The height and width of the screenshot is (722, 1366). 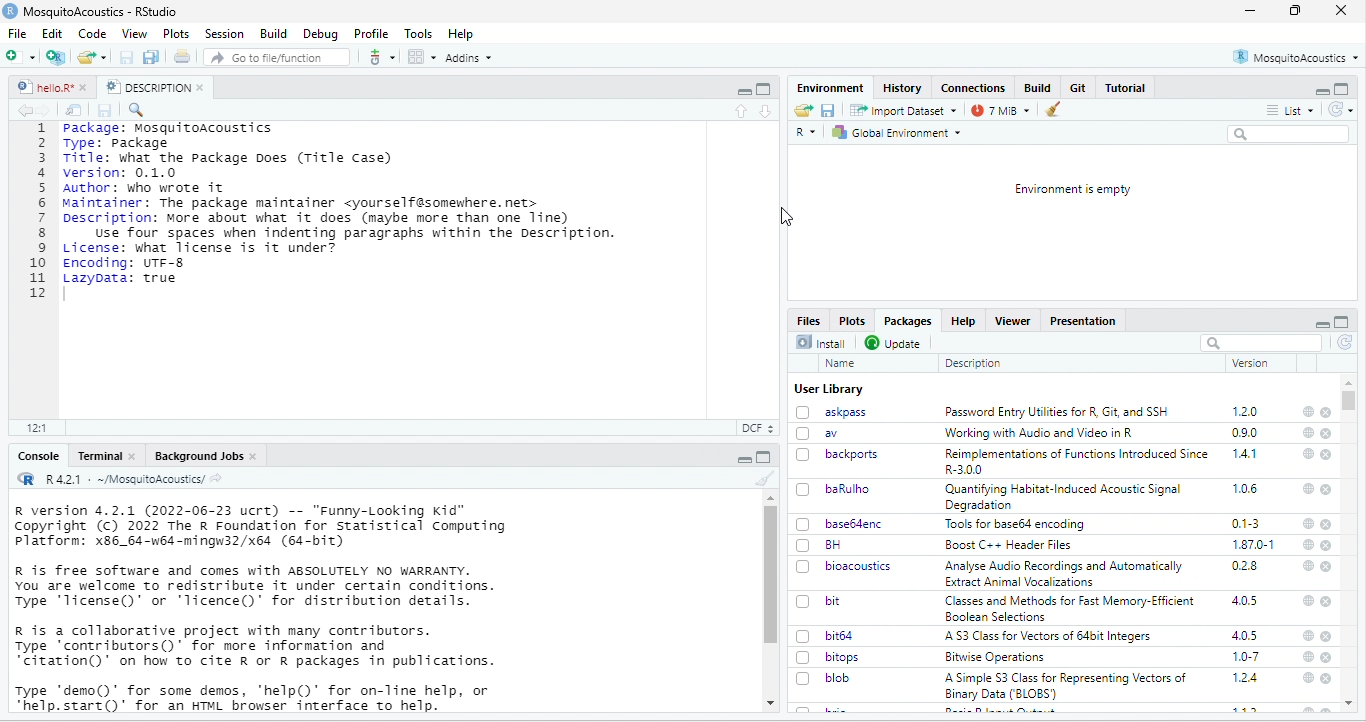 I want to click on scroll down, so click(x=768, y=704).